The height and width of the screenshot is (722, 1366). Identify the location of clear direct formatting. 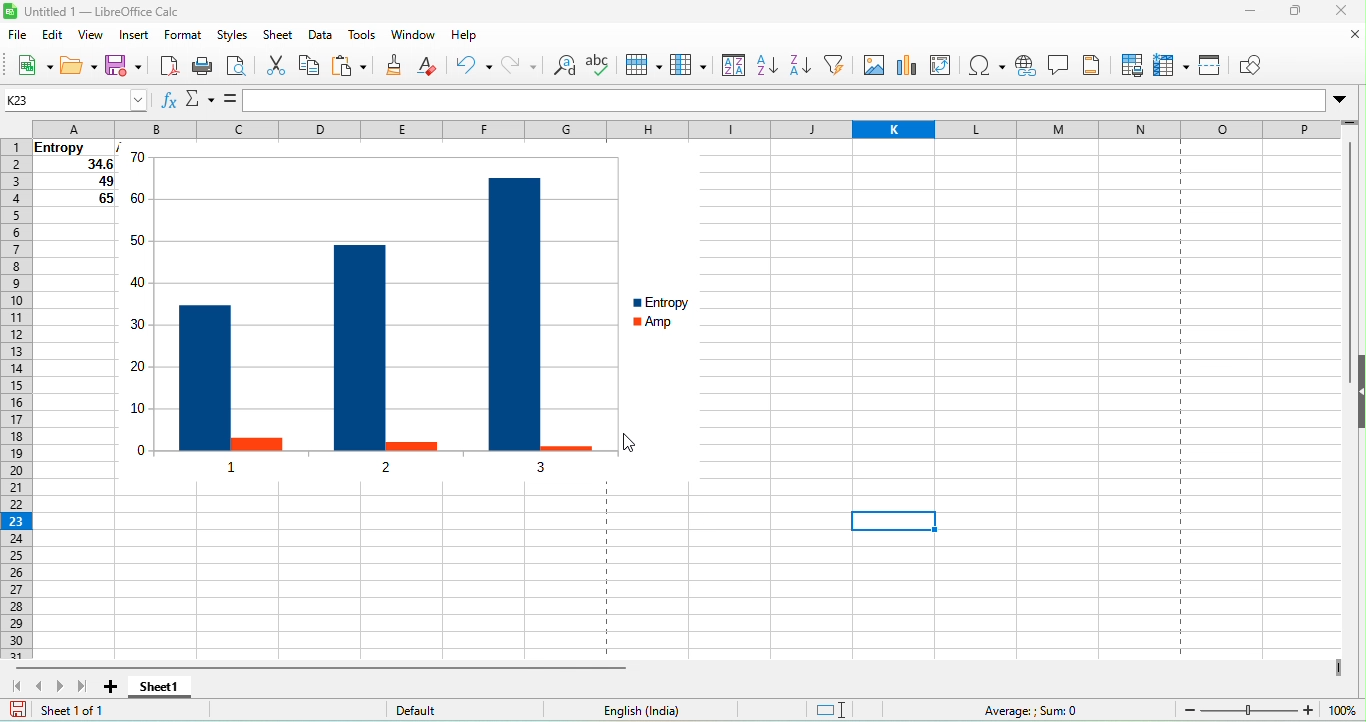
(437, 66).